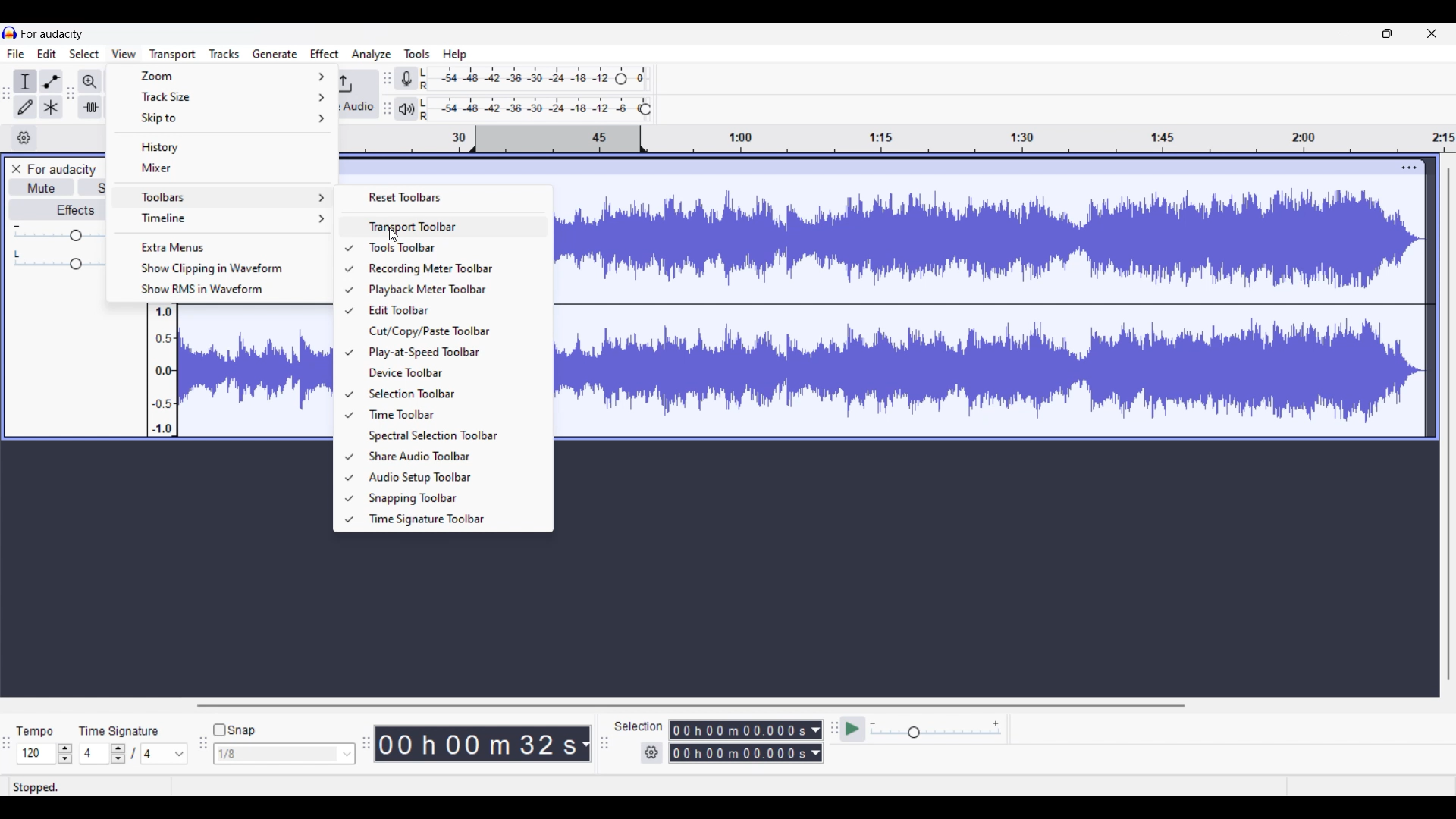 This screenshot has height=819, width=1456. I want to click on Selection duration tracker, so click(739, 730).